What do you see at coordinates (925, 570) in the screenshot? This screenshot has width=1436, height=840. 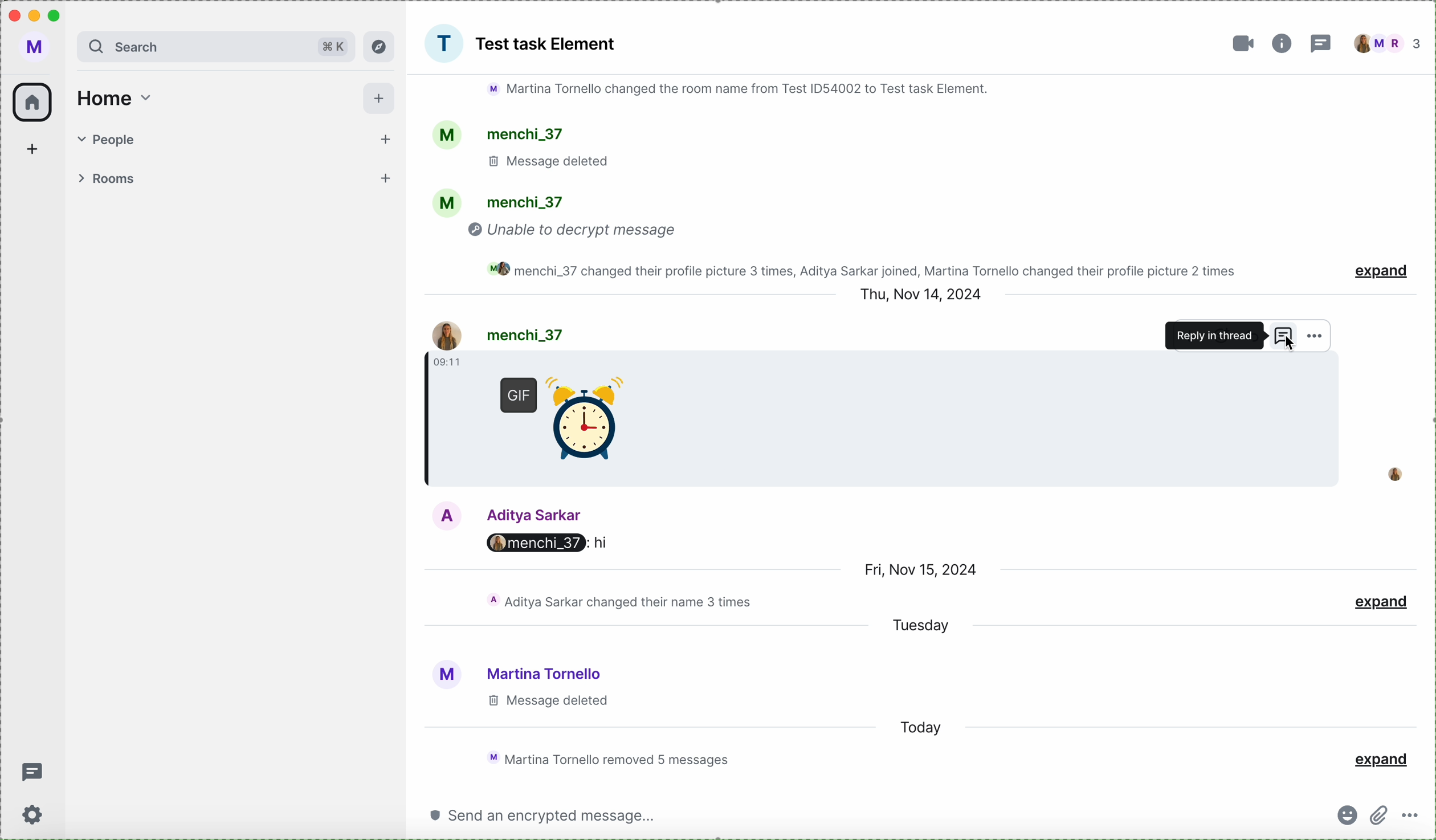 I see `date` at bounding box center [925, 570].